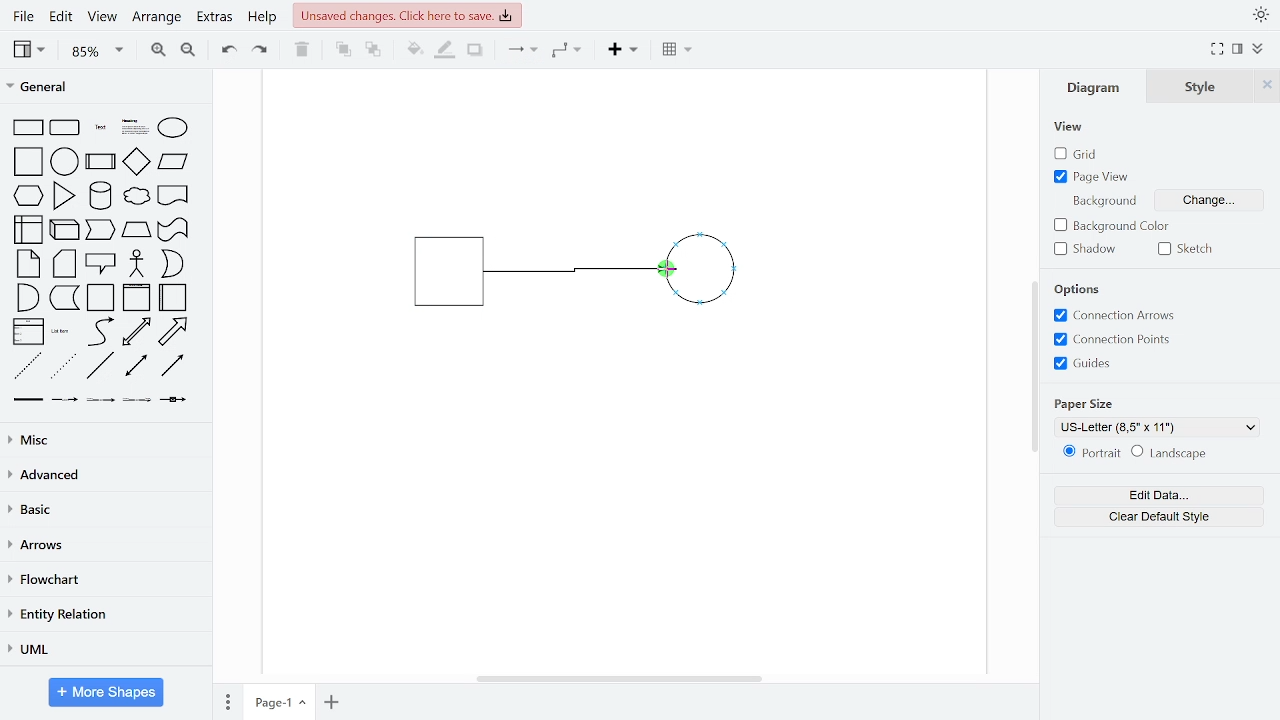  What do you see at coordinates (107, 89) in the screenshot?
I see `general` at bounding box center [107, 89].